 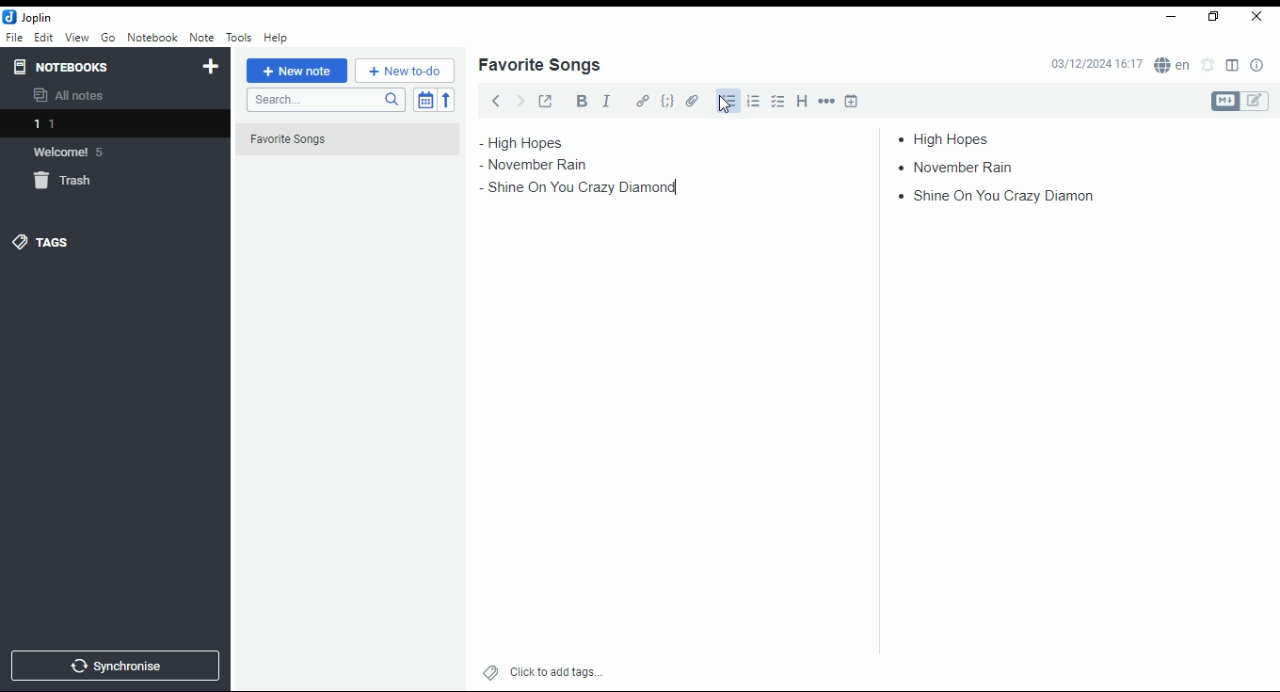 What do you see at coordinates (73, 151) in the screenshot?
I see `notebook: welcome` at bounding box center [73, 151].